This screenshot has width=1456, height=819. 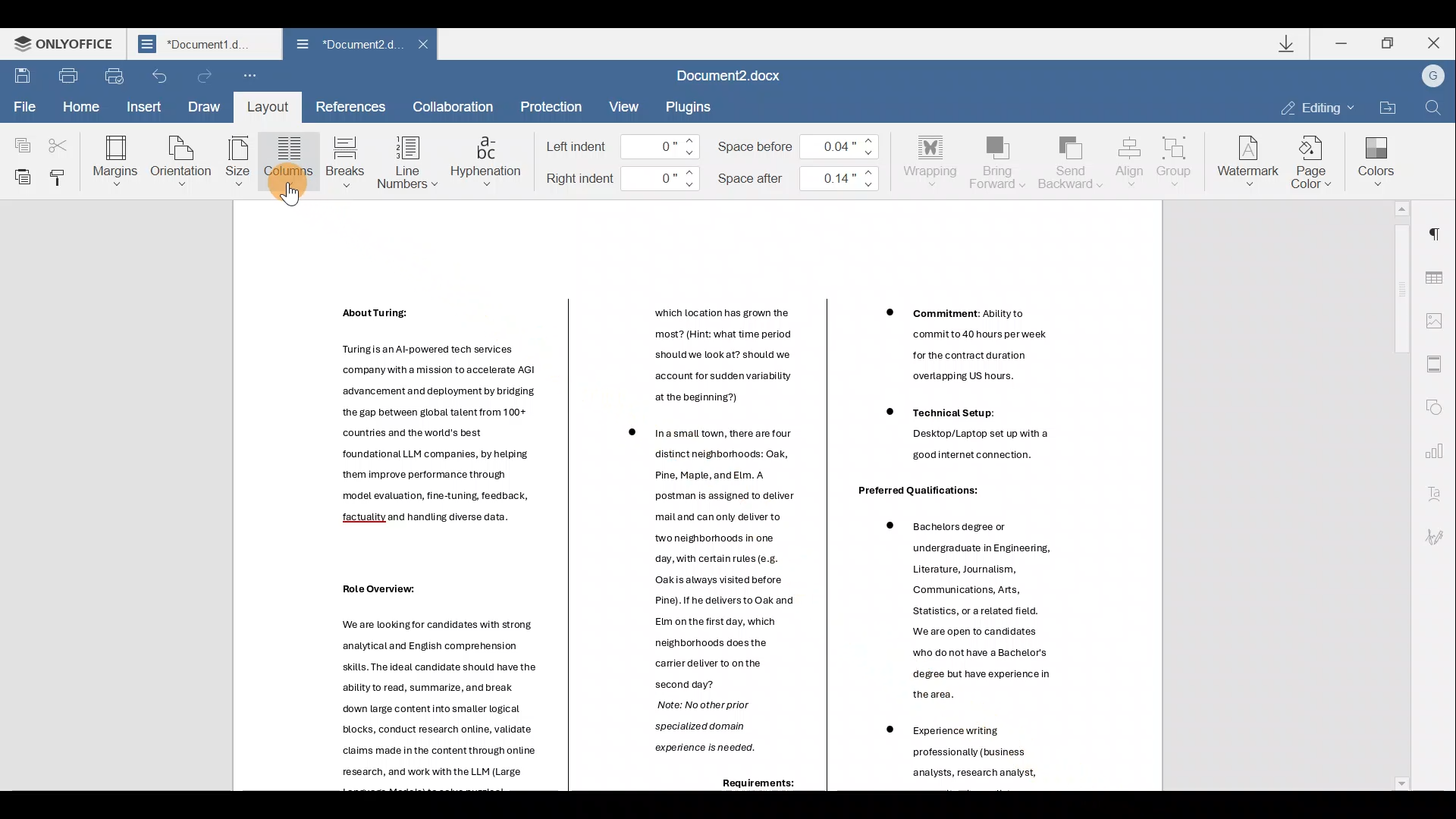 What do you see at coordinates (60, 174) in the screenshot?
I see `Copy style` at bounding box center [60, 174].